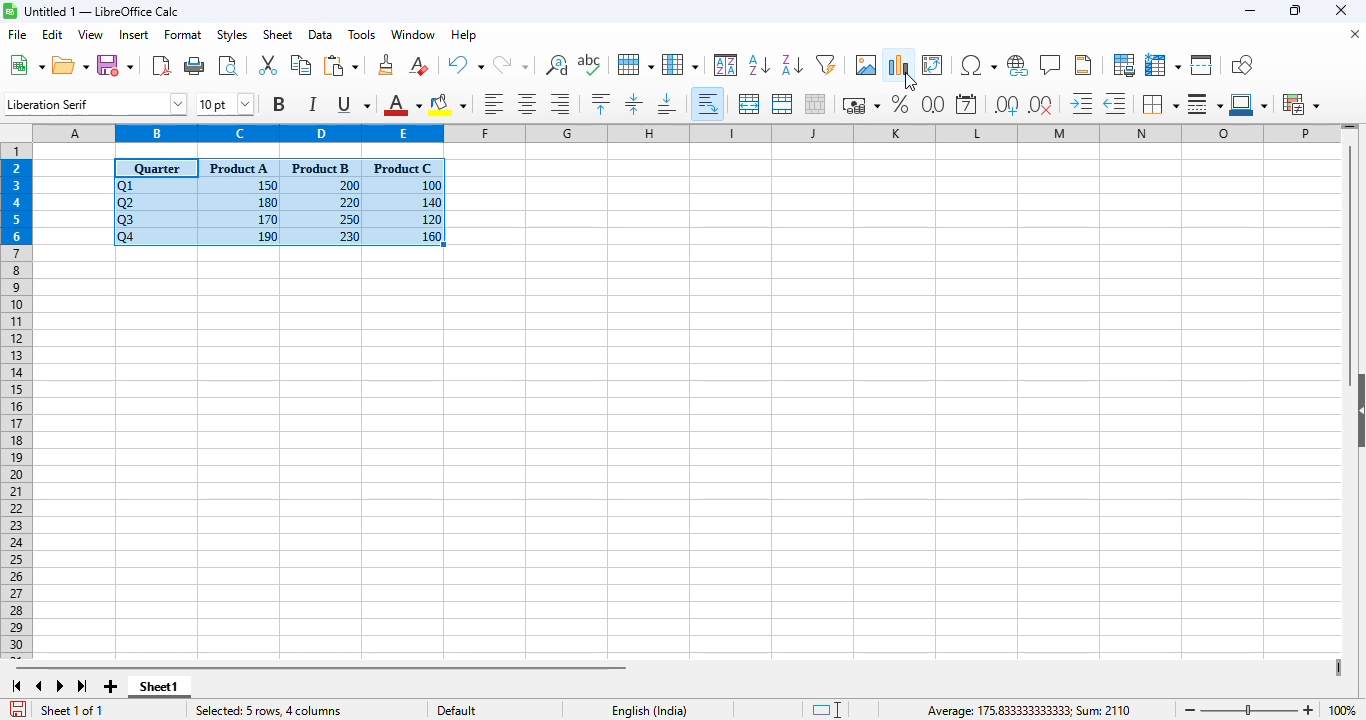 The width and height of the screenshot is (1366, 720). I want to click on horizontal scroll bar, so click(320, 667).